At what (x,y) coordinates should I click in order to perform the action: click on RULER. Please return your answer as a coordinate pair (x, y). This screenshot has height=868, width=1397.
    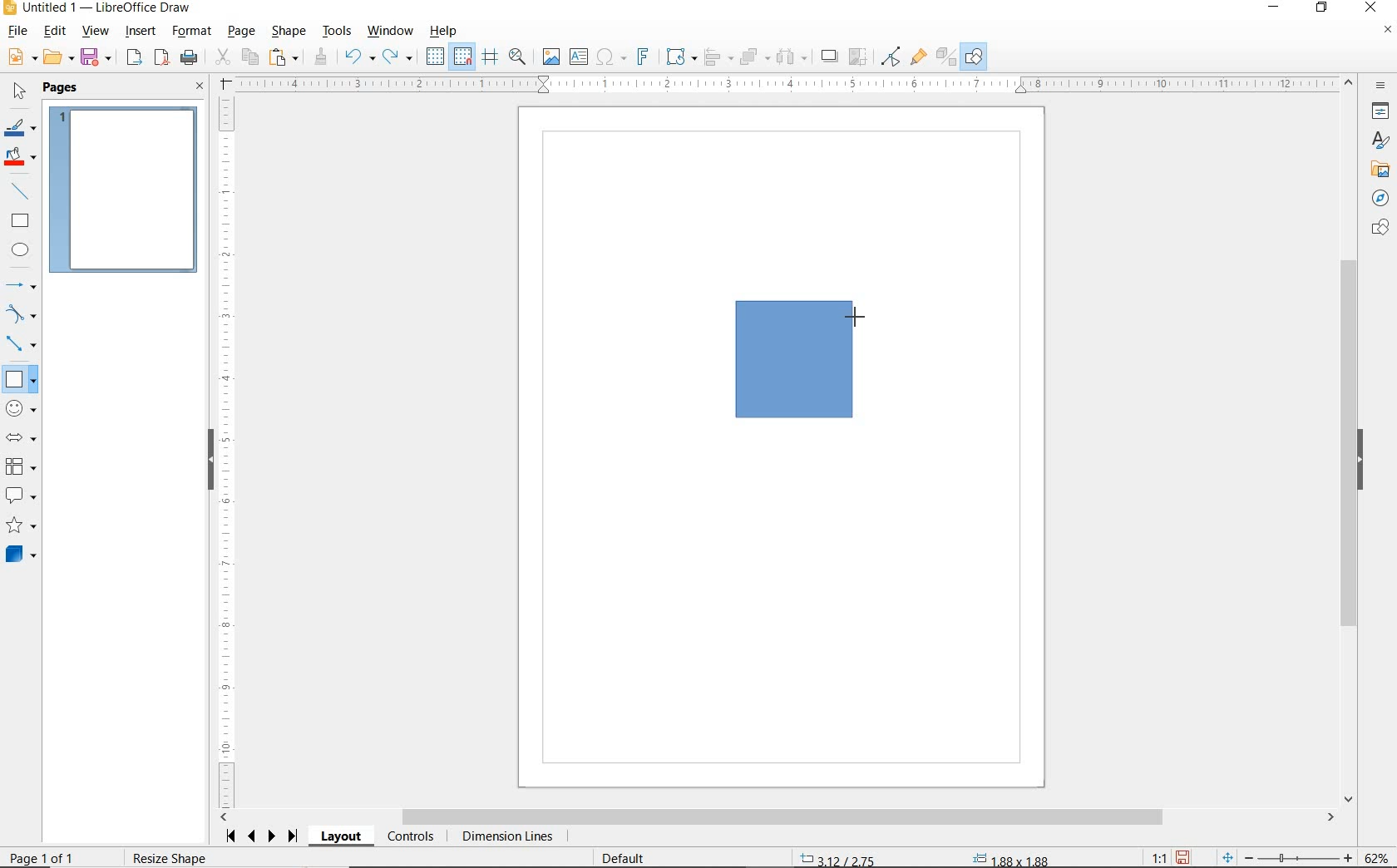
    Looking at the image, I should click on (227, 452).